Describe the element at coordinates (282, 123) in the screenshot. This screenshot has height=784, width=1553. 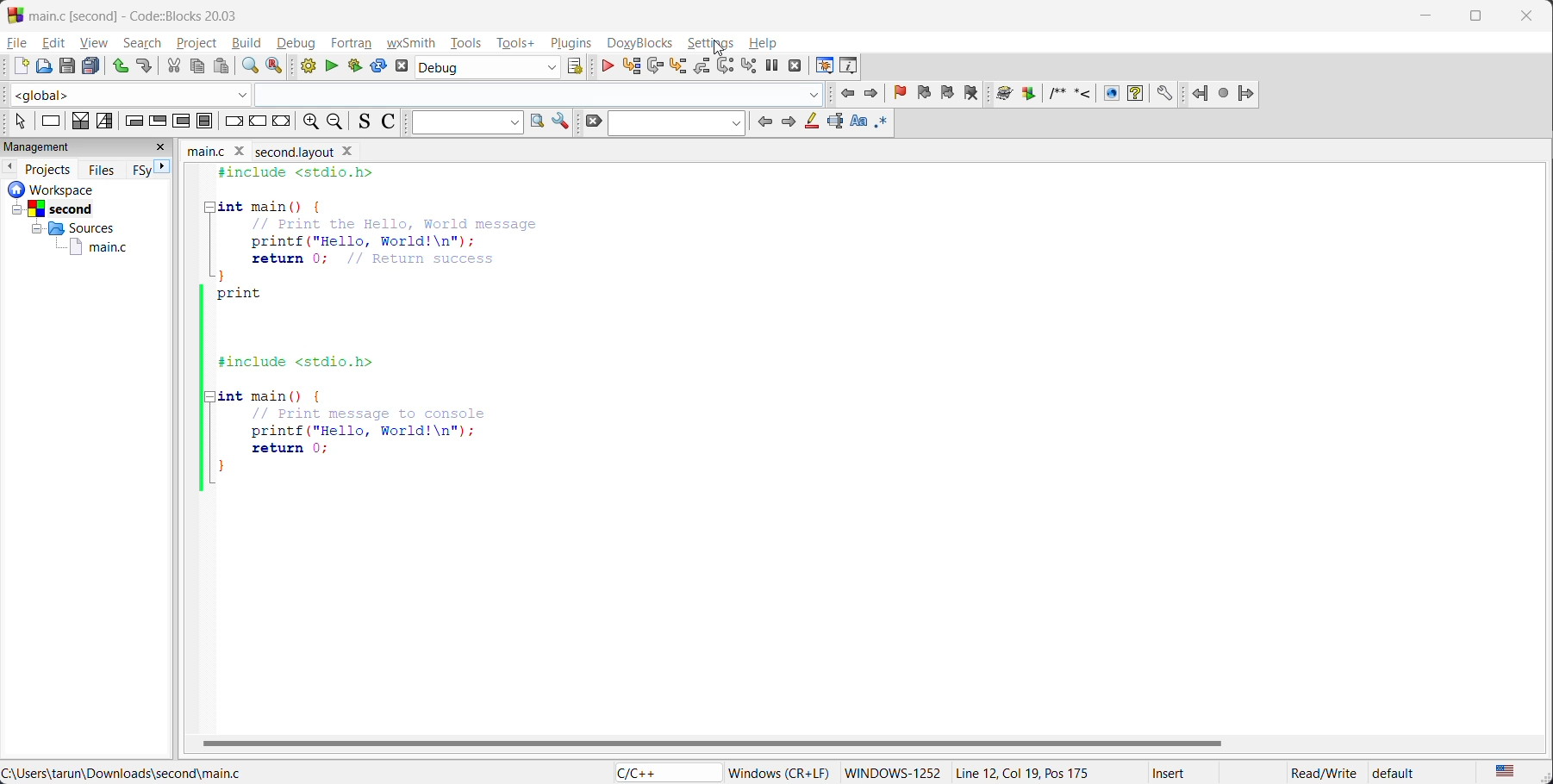
I see `return instruction` at that location.